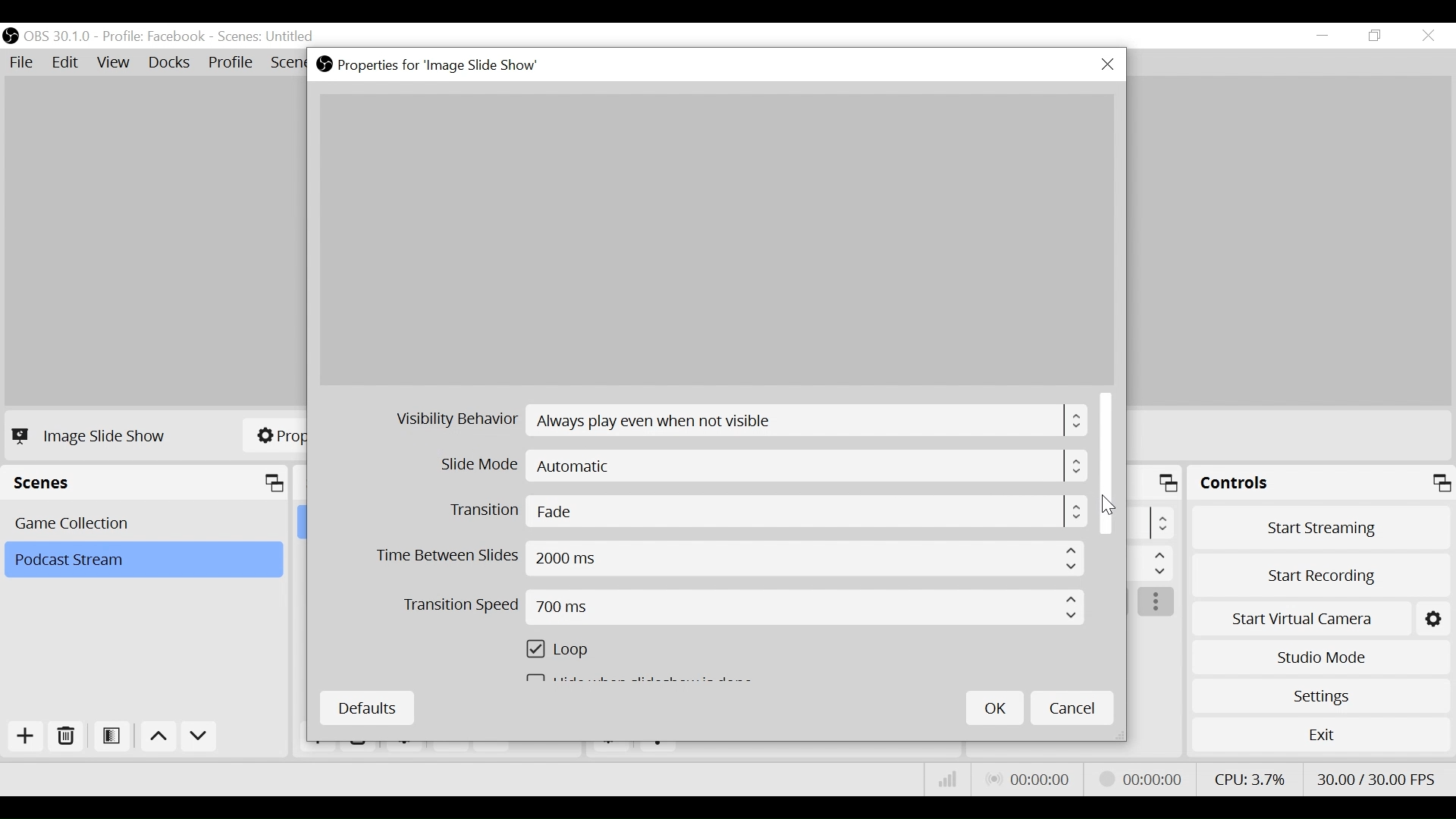 The width and height of the screenshot is (1456, 819). Describe the element at coordinates (1072, 707) in the screenshot. I see `Cancel` at that location.